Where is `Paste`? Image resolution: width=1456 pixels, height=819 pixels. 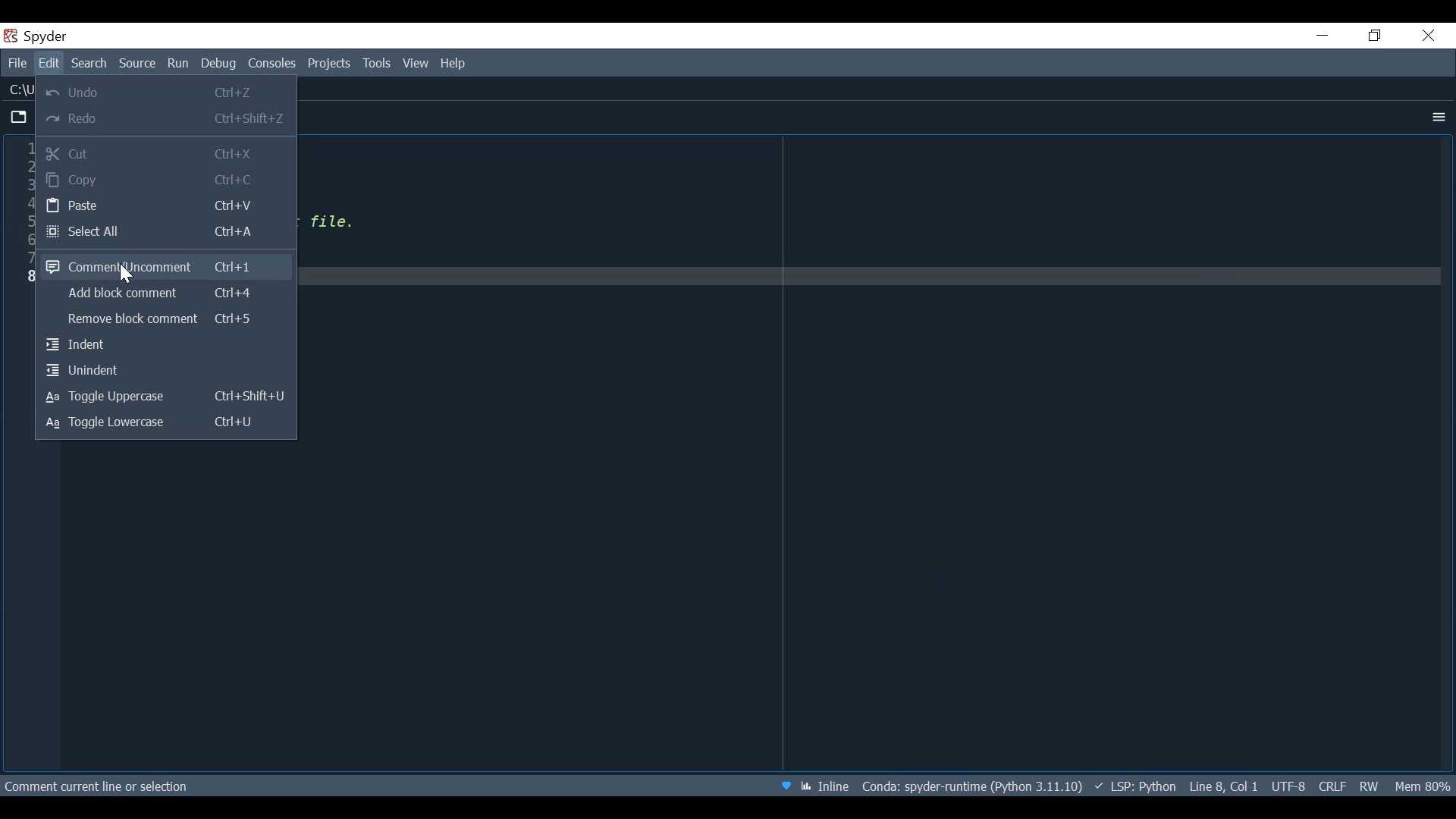 Paste is located at coordinates (165, 206).